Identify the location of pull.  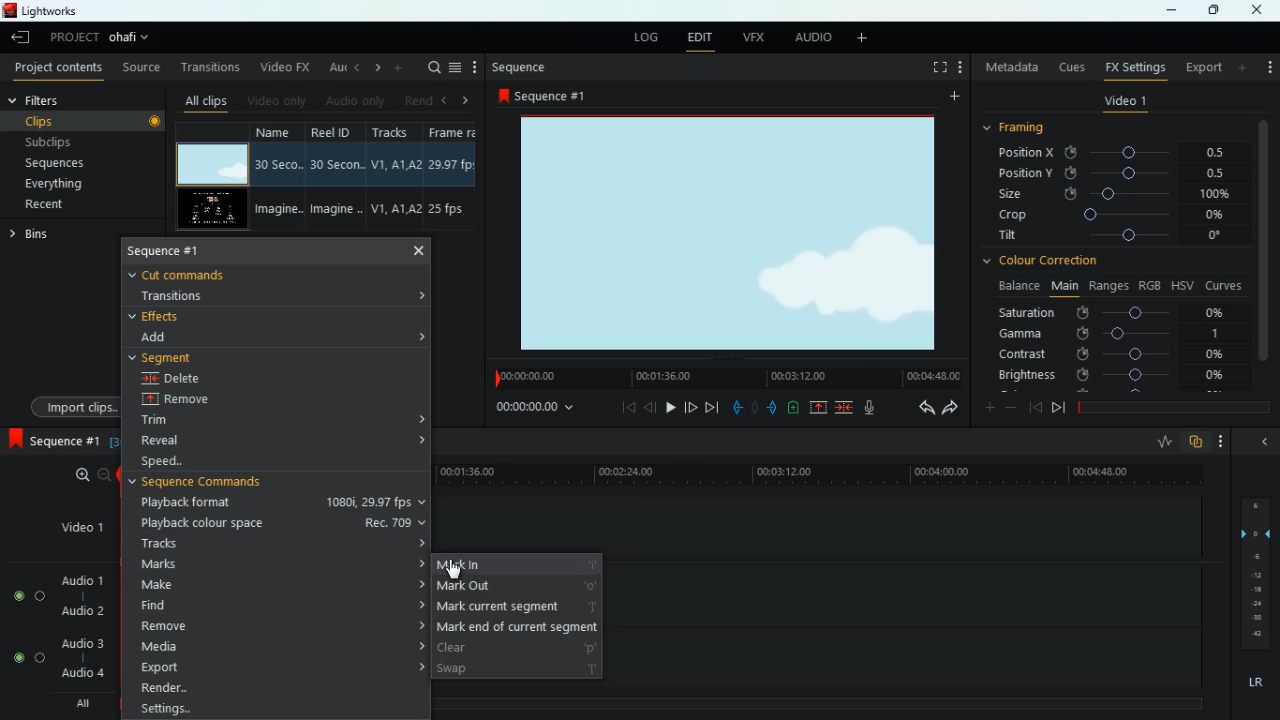
(736, 408).